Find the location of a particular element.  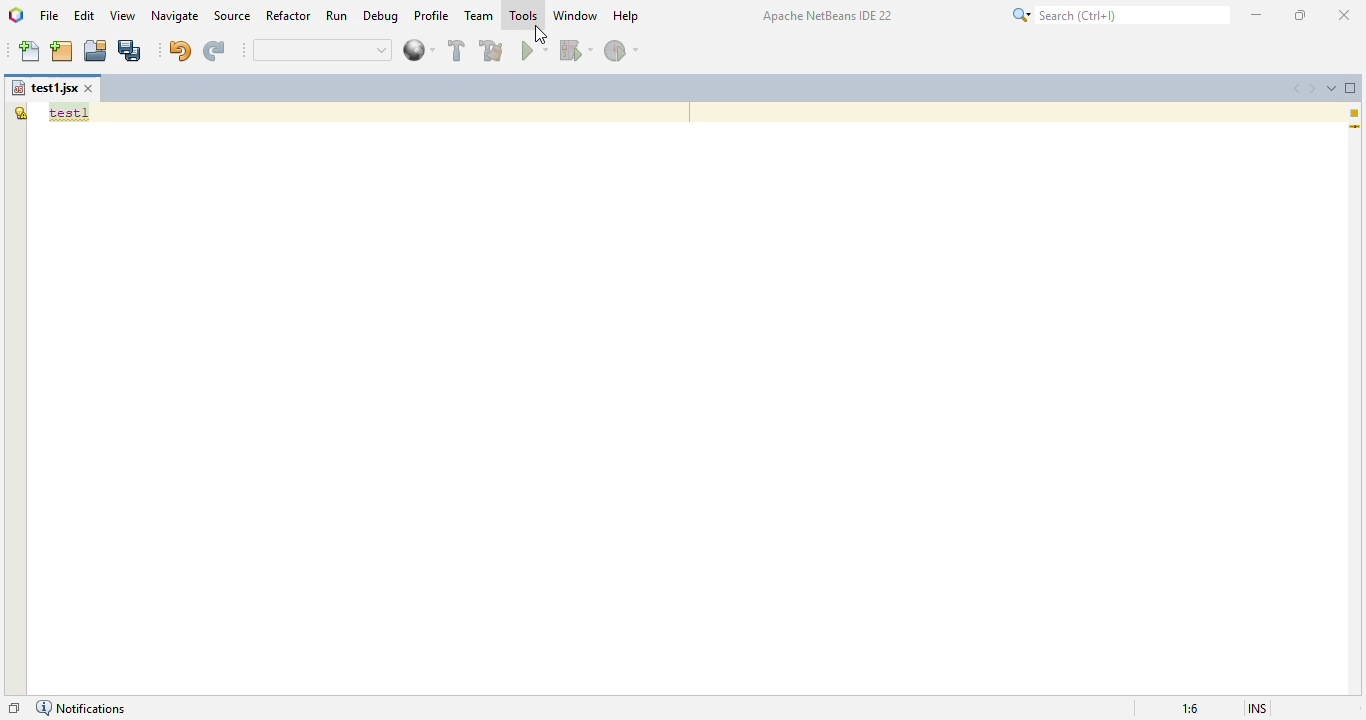

navigate is located at coordinates (175, 15).